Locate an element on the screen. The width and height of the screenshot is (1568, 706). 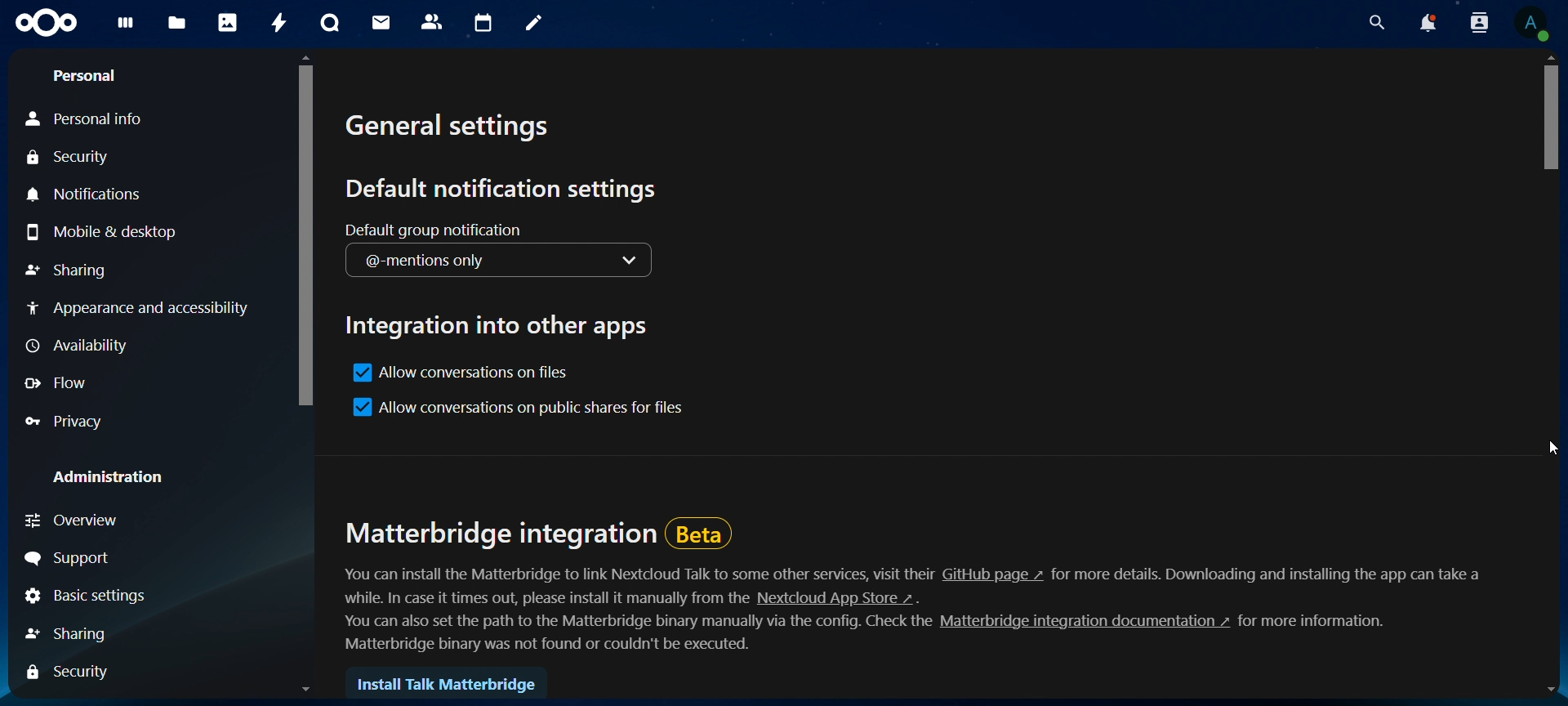
general settings is located at coordinates (454, 128).